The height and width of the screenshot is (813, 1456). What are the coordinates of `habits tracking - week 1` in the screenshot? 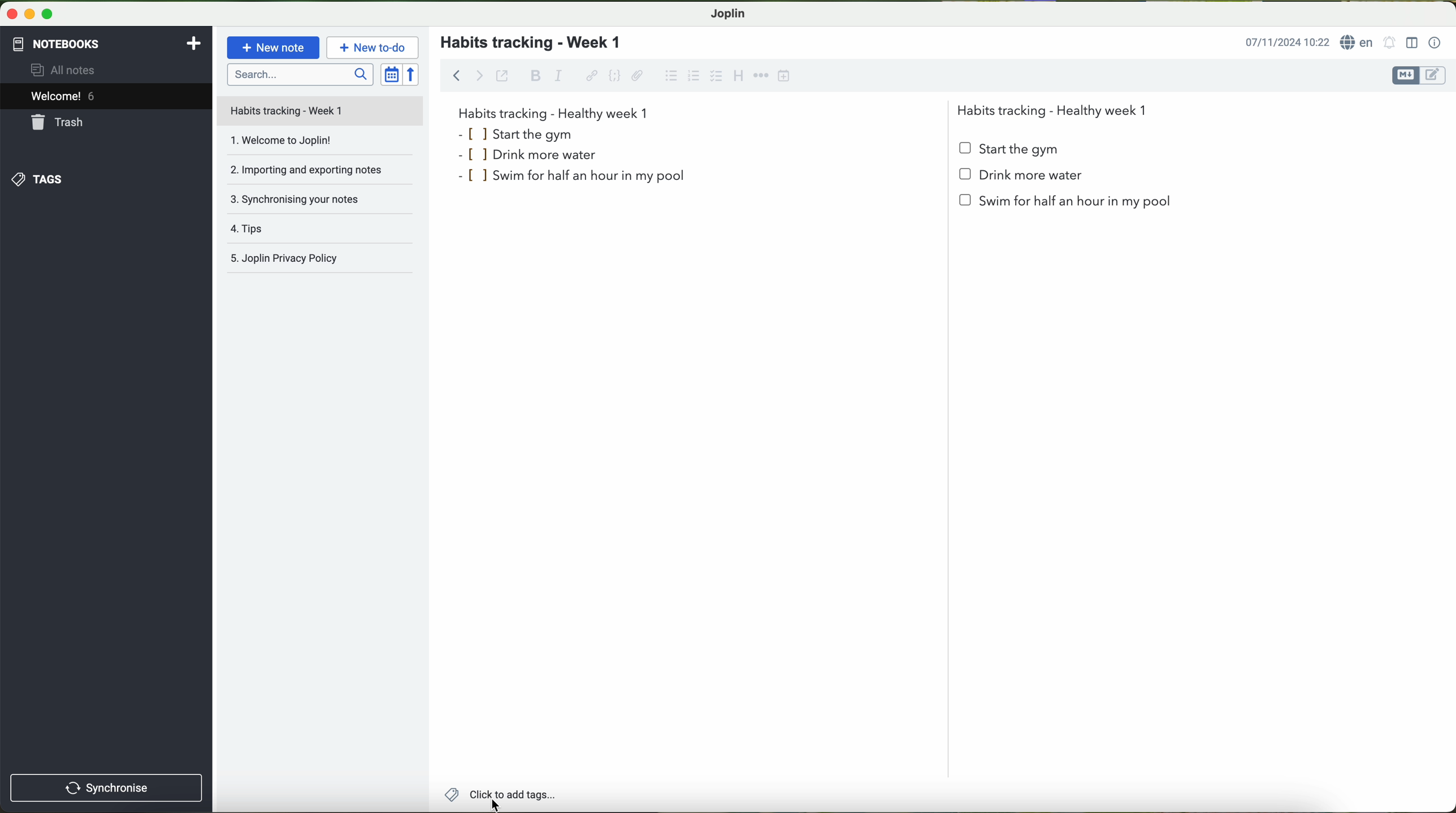 It's located at (538, 43).